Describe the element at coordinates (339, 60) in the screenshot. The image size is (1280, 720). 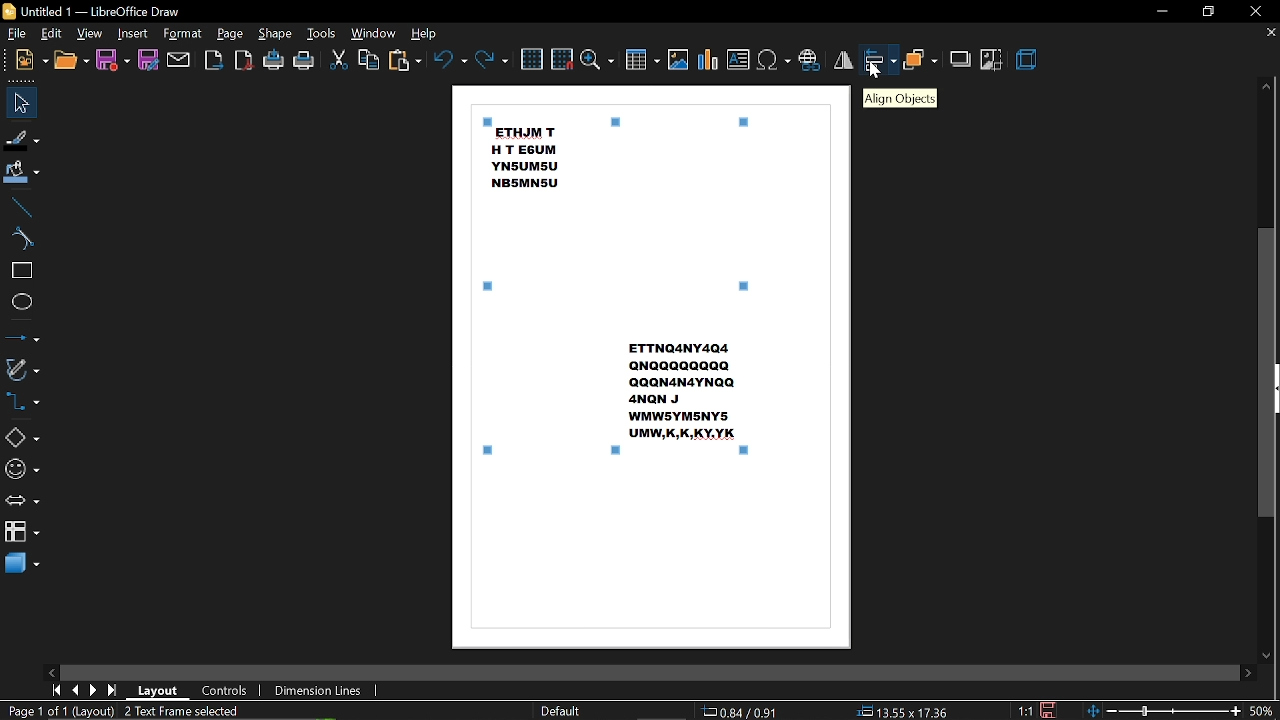
I see `cut ` at that location.